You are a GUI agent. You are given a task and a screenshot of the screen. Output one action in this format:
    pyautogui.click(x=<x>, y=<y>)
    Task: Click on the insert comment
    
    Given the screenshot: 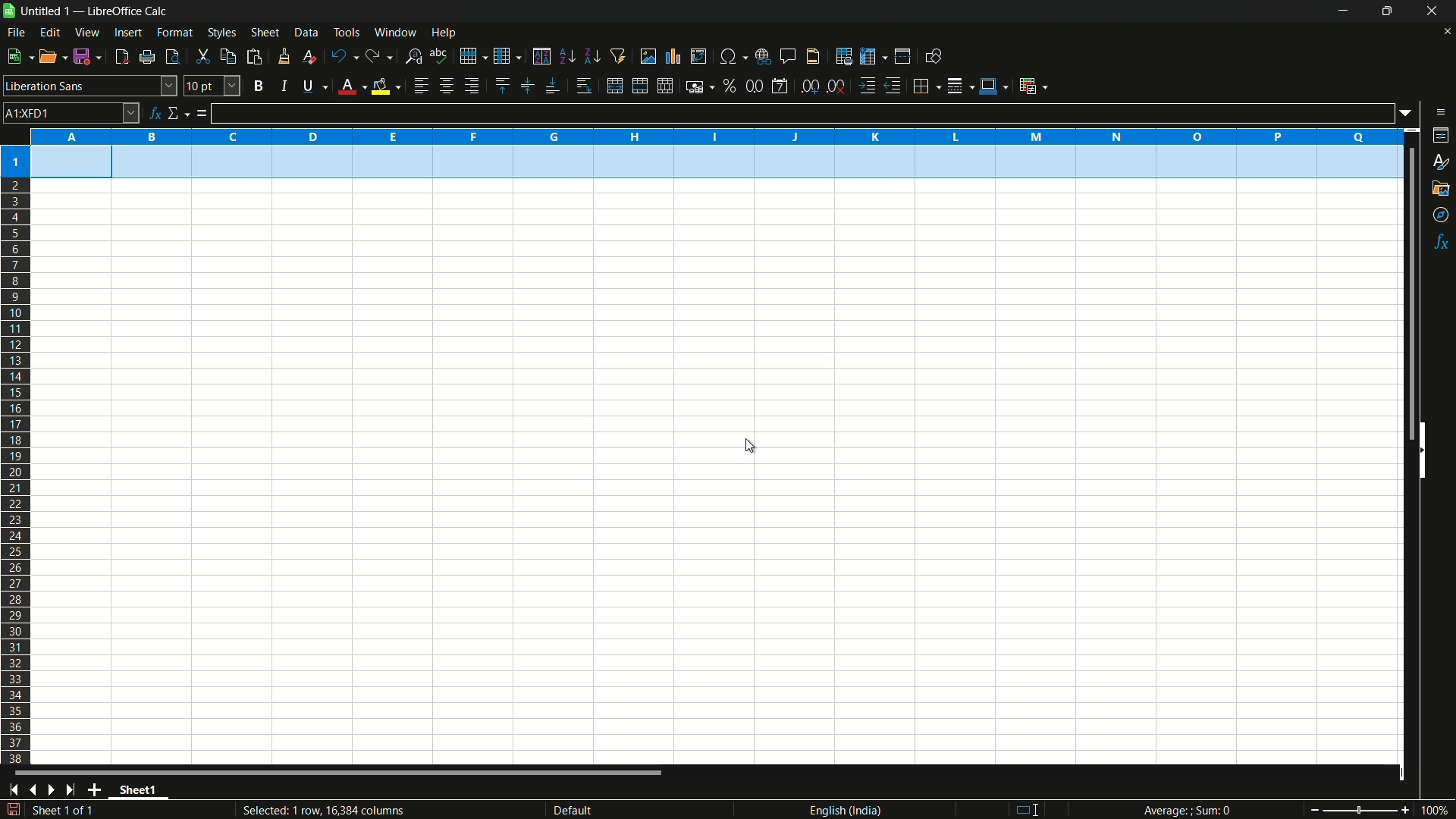 What is the action you would take?
    pyautogui.click(x=789, y=56)
    